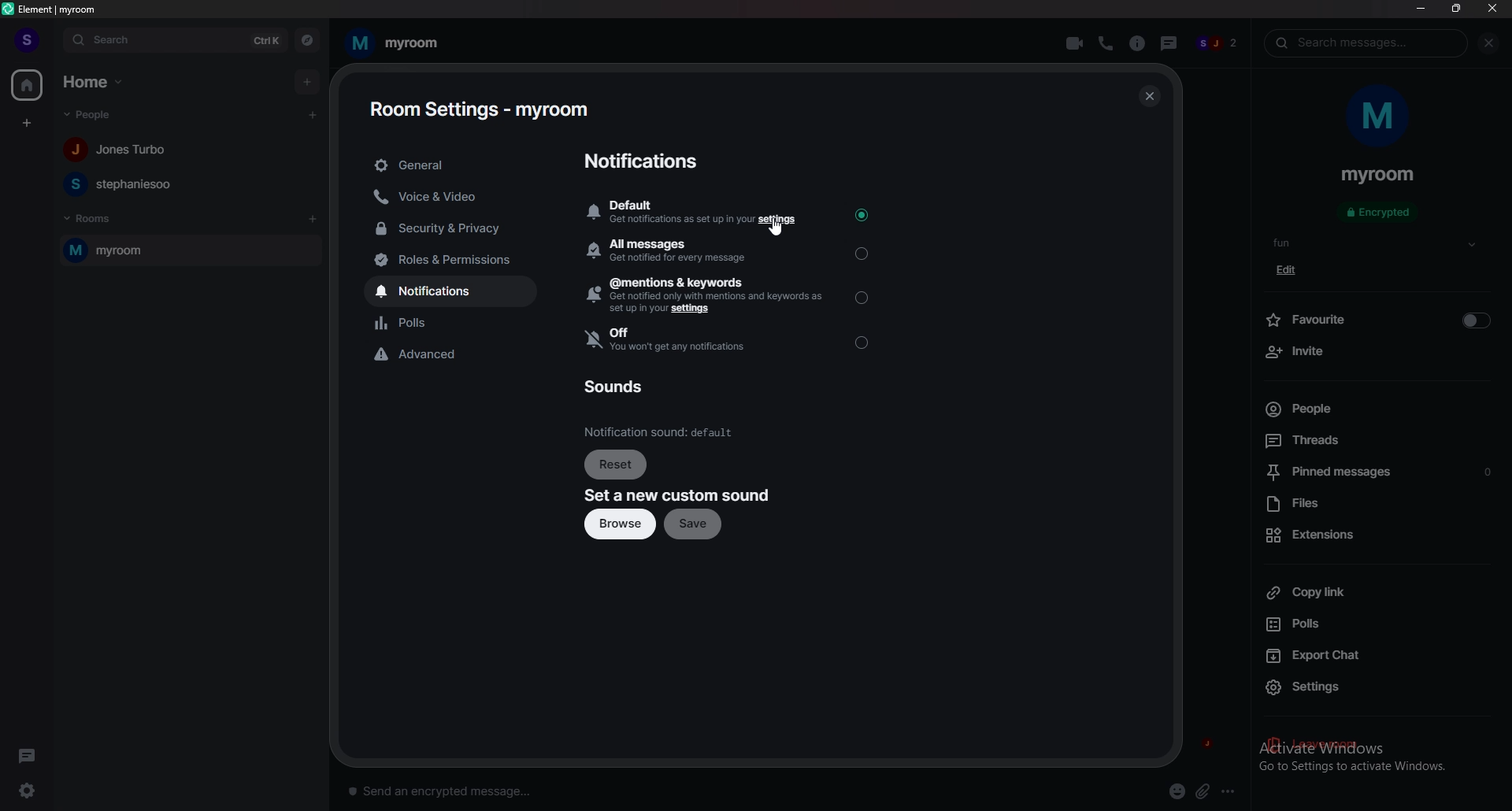  I want to click on room photo, so click(1380, 117).